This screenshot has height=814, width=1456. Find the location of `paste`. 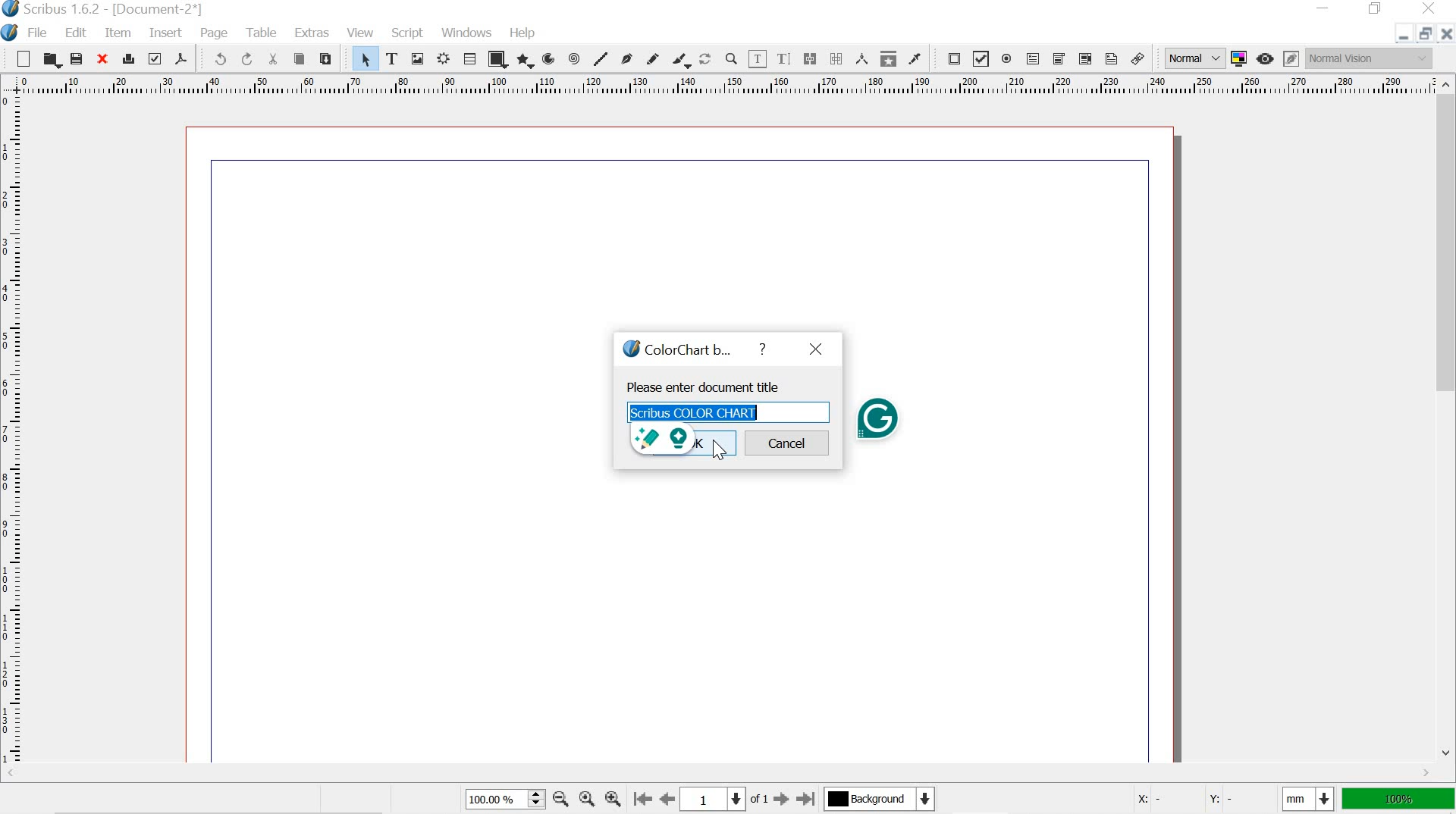

paste is located at coordinates (325, 58).